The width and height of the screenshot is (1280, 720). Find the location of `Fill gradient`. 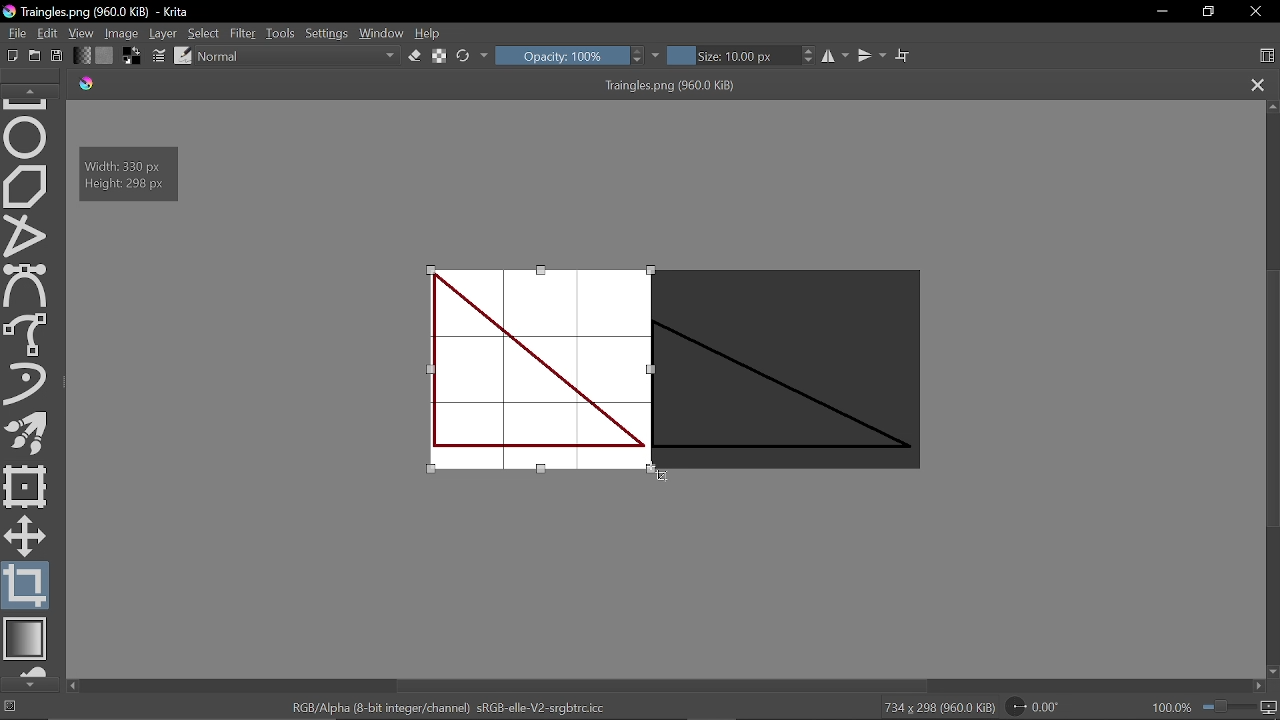

Fill gradient is located at coordinates (82, 55).